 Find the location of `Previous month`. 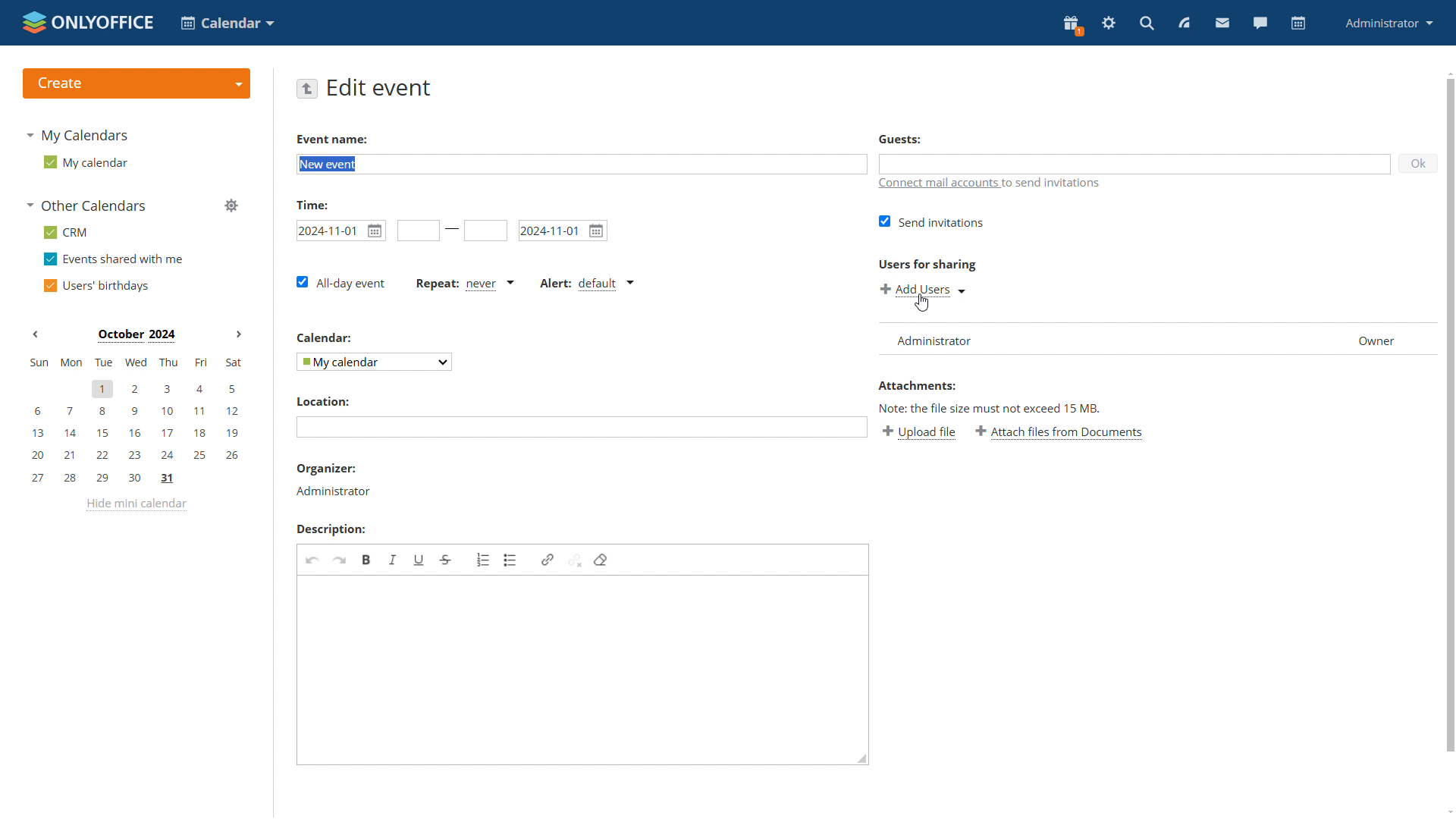

Previous month is located at coordinates (36, 336).